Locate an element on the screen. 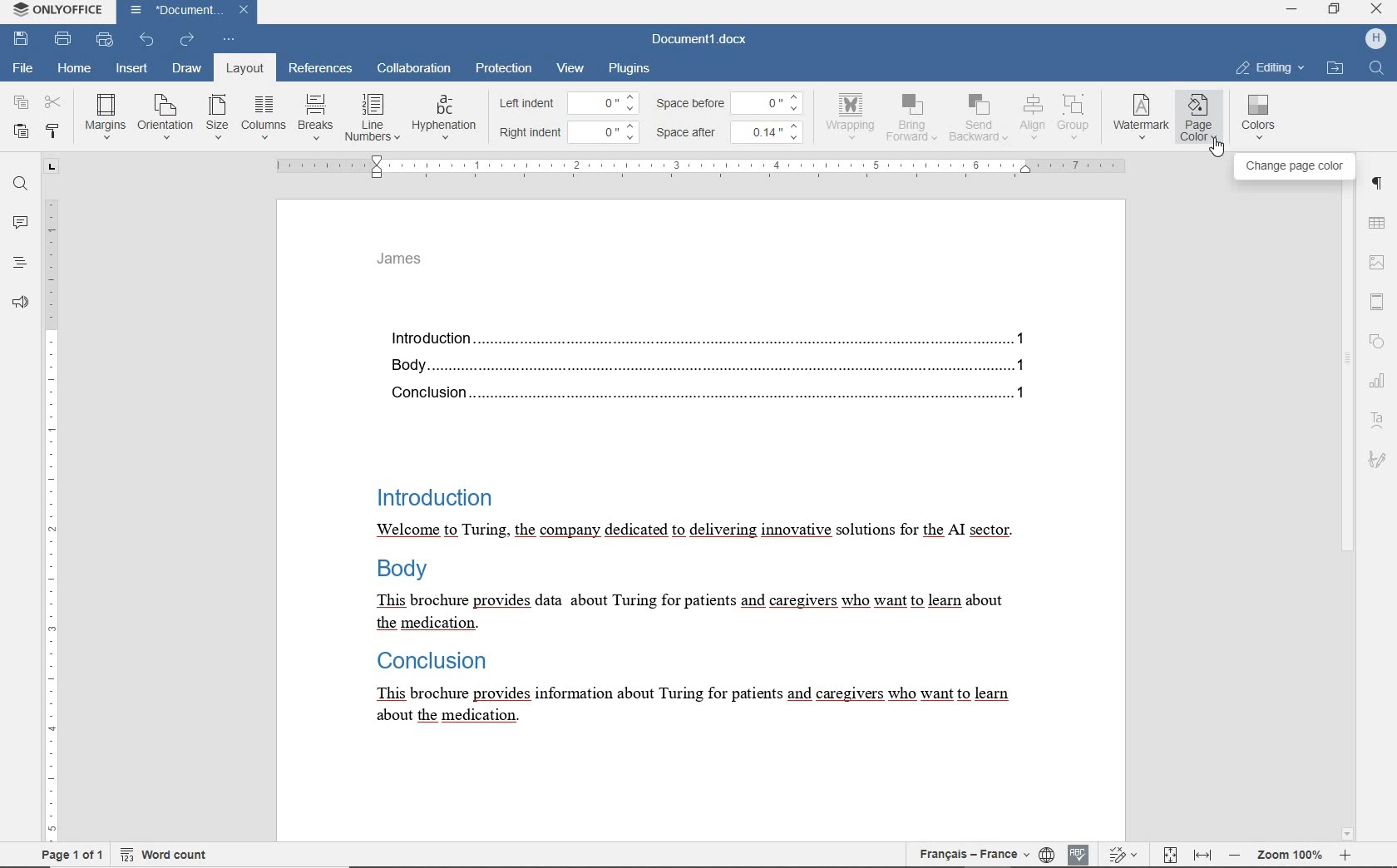 This screenshot has height=868, width=1397. save is located at coordinates (23, 38).